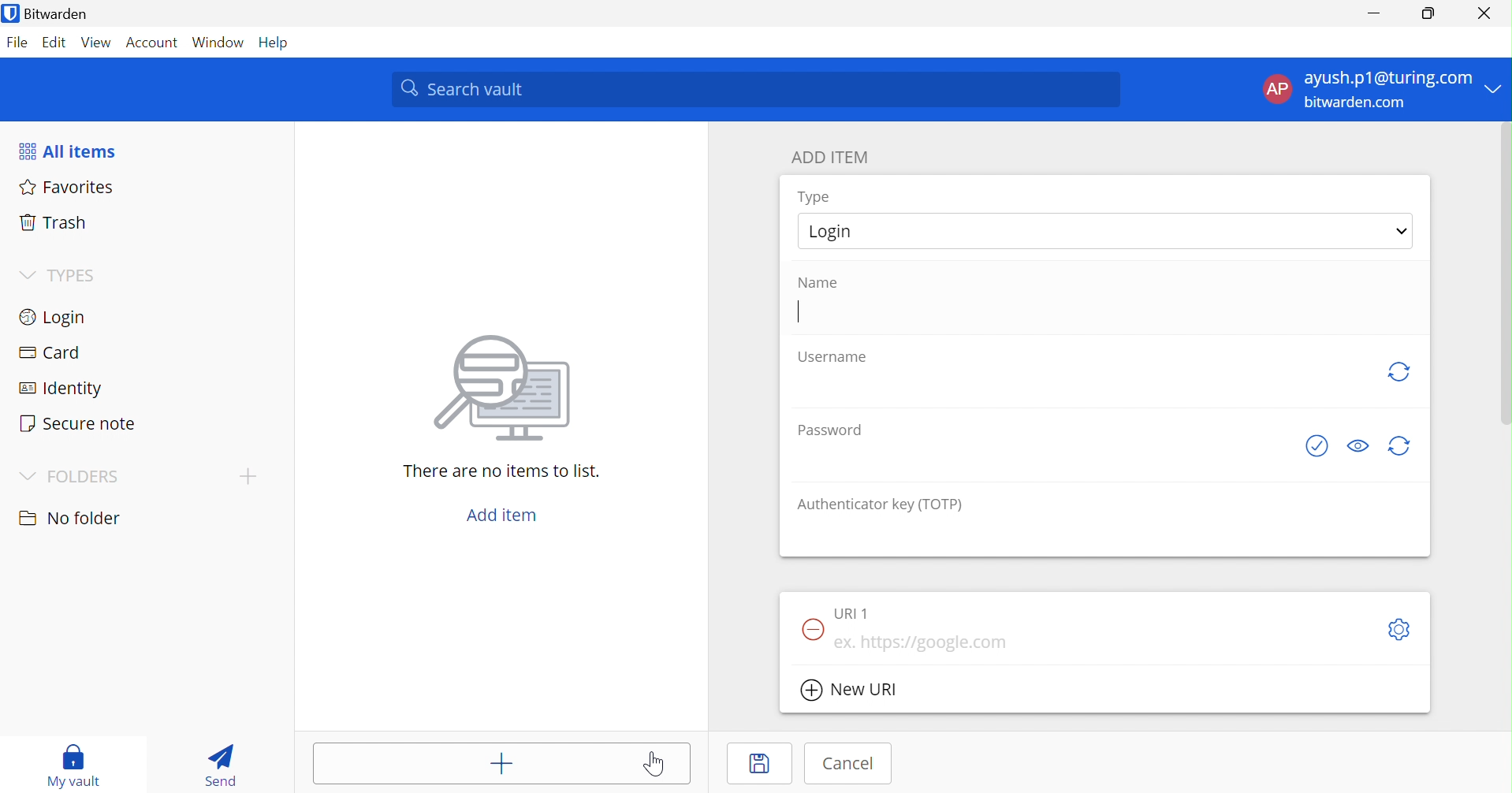 The image size is (1512, 793). Describe the element at coordinates (68, 149) in the screenshot. I see `All items` at that location.